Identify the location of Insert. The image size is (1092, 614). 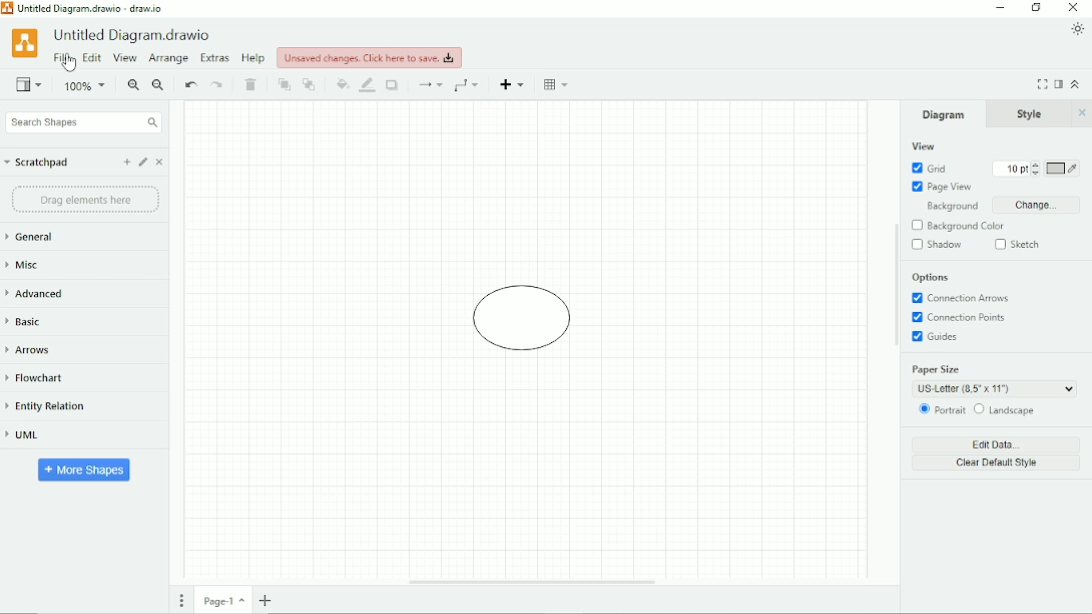
(511, 84).